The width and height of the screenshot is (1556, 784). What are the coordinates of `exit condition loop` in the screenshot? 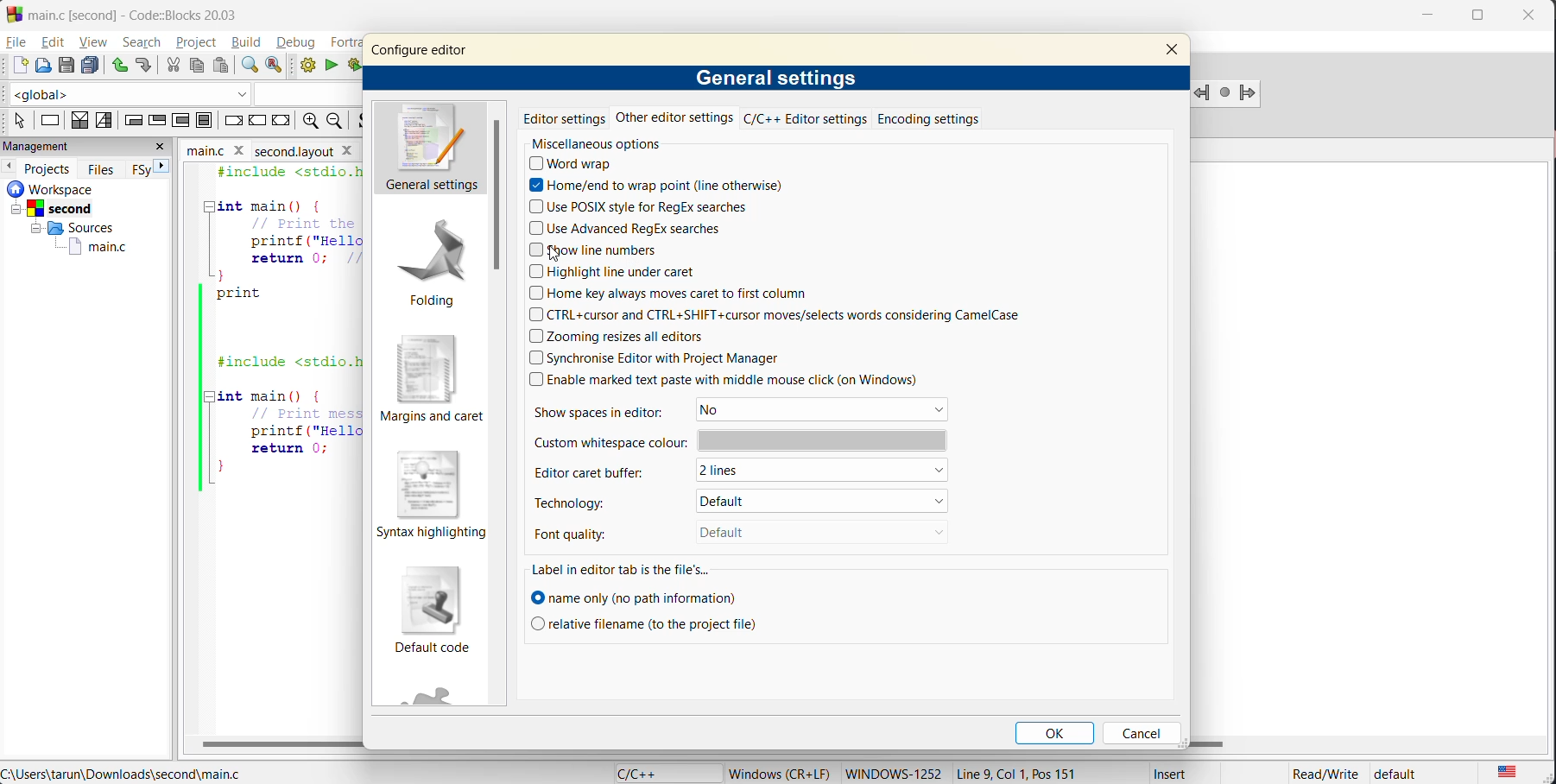 It's located at (156, 119).